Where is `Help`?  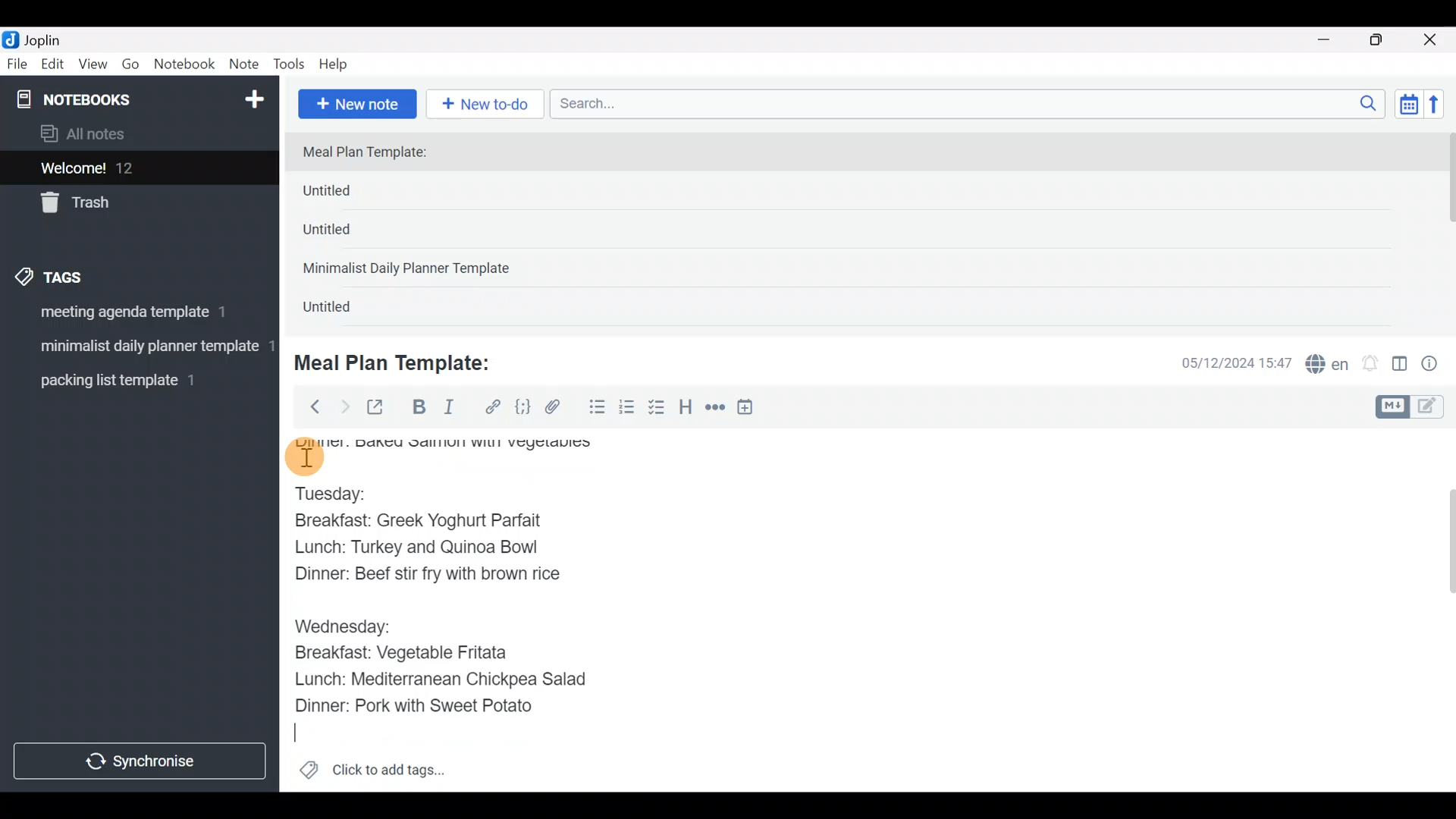 Help is located at coordinates (339, 61).